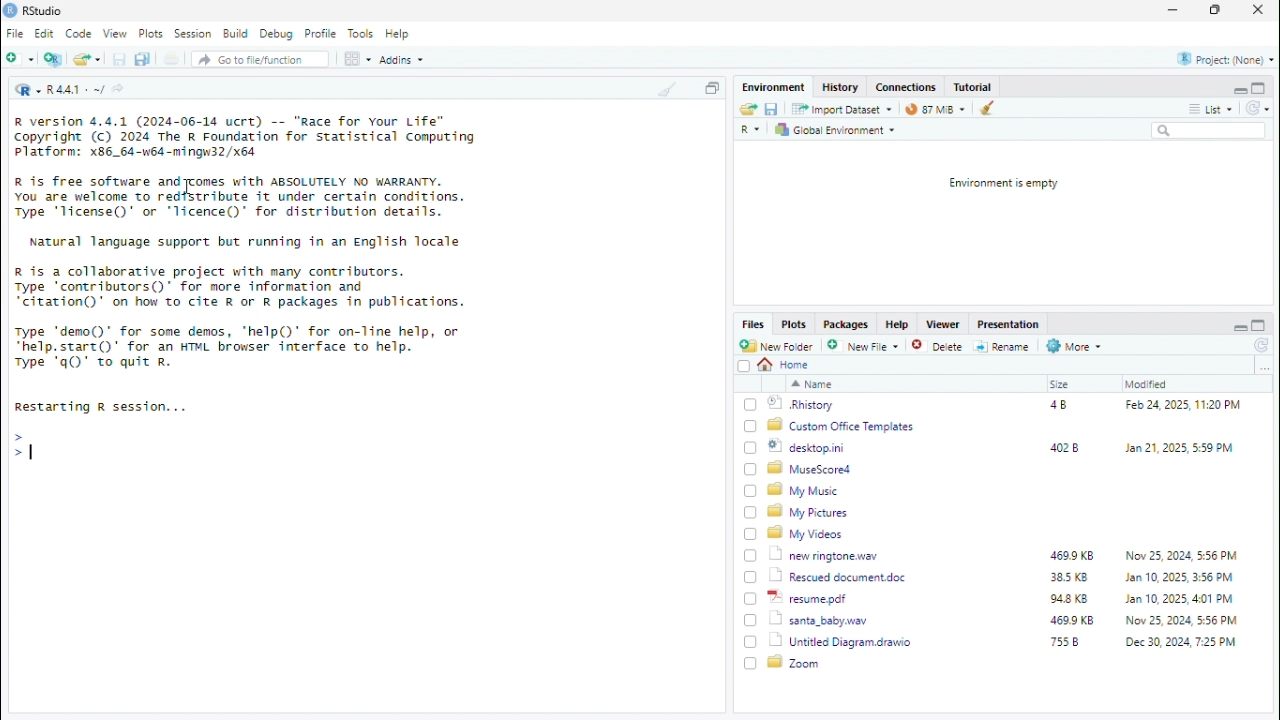  Describe the element at coordinates (841, 109) in the screenshot. I see `Import Dataset` at that location.